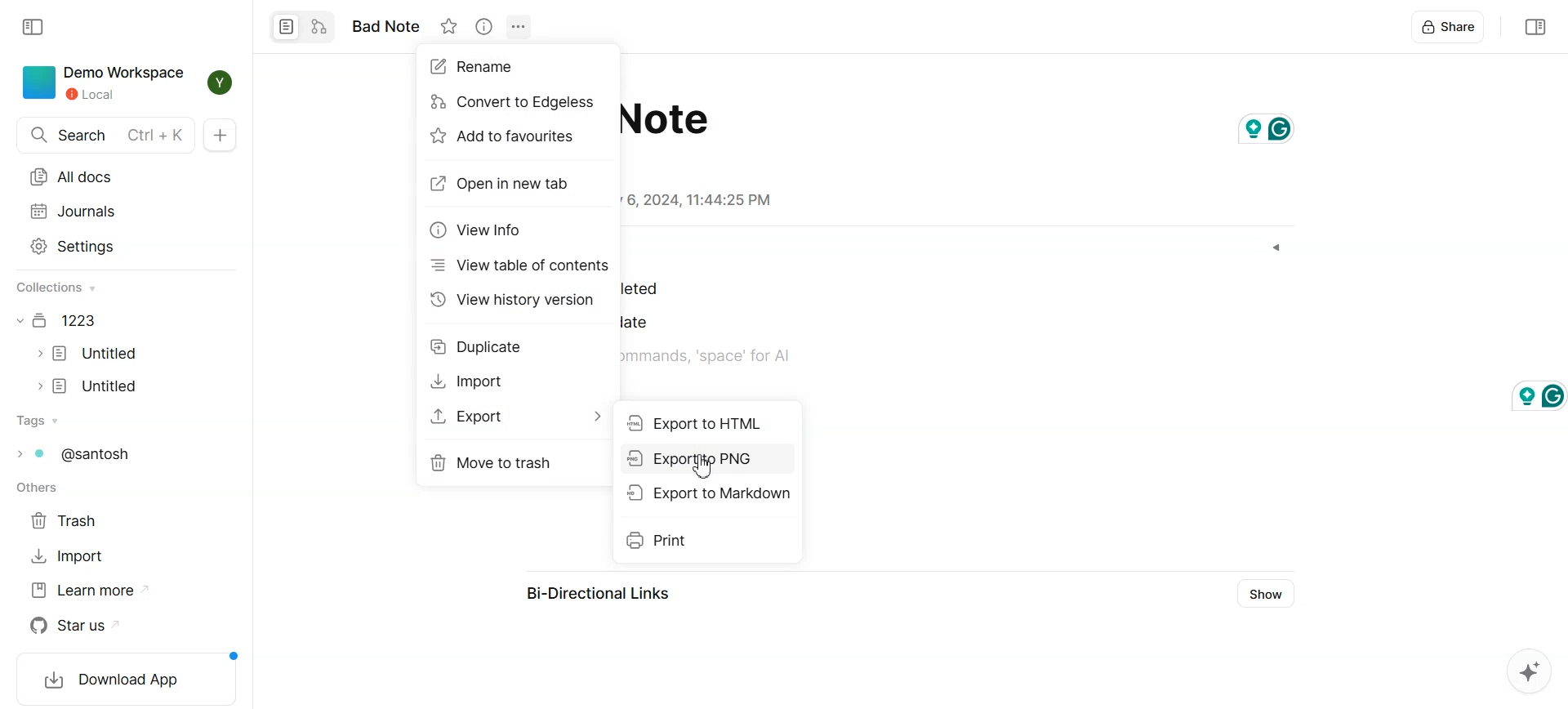 This screenshot has width=1568, height=709. I want to click on Convert to edgeless, so click(318, 25).